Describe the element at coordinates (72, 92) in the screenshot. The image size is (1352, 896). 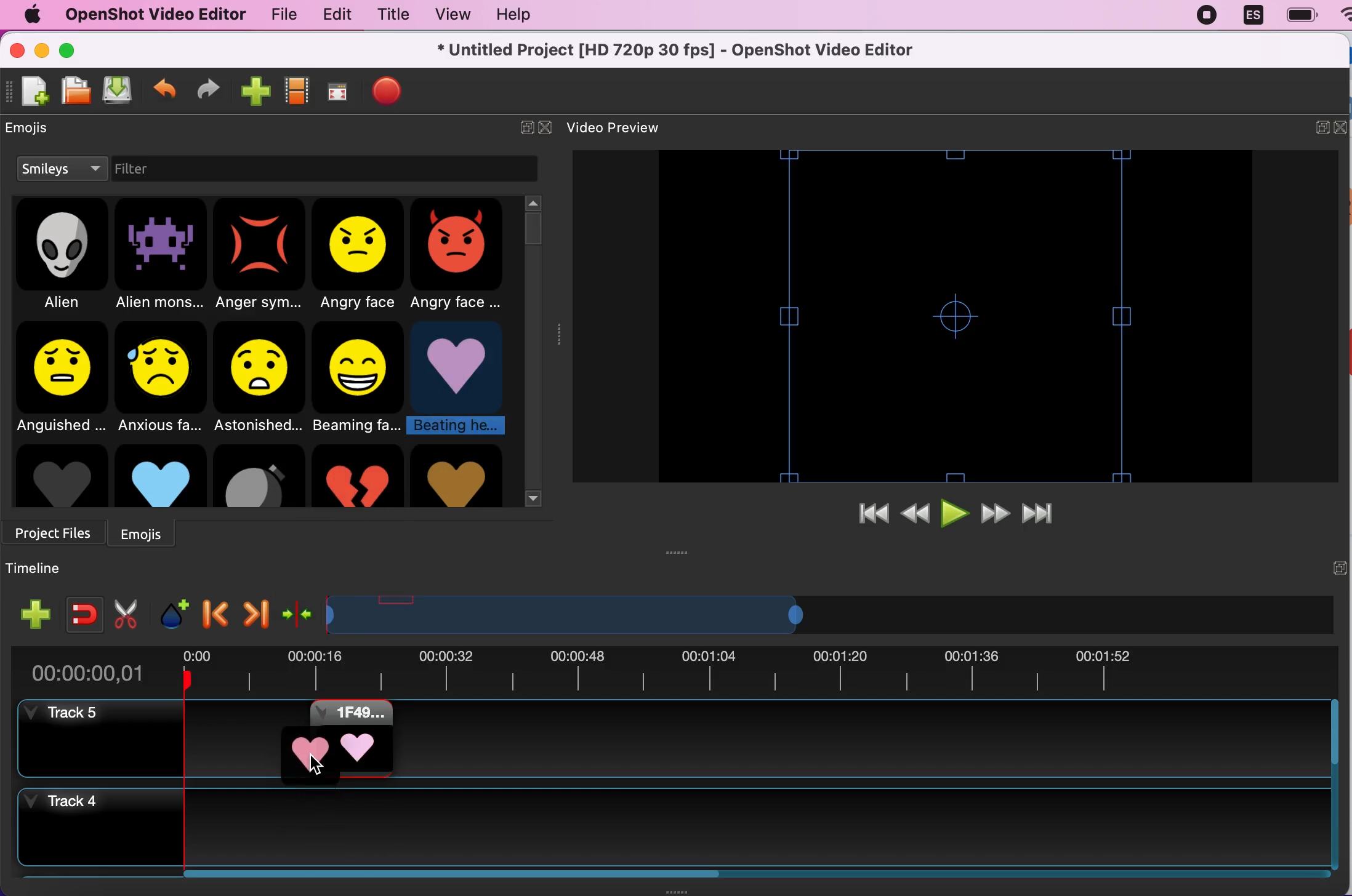
I see `open file` at that location.